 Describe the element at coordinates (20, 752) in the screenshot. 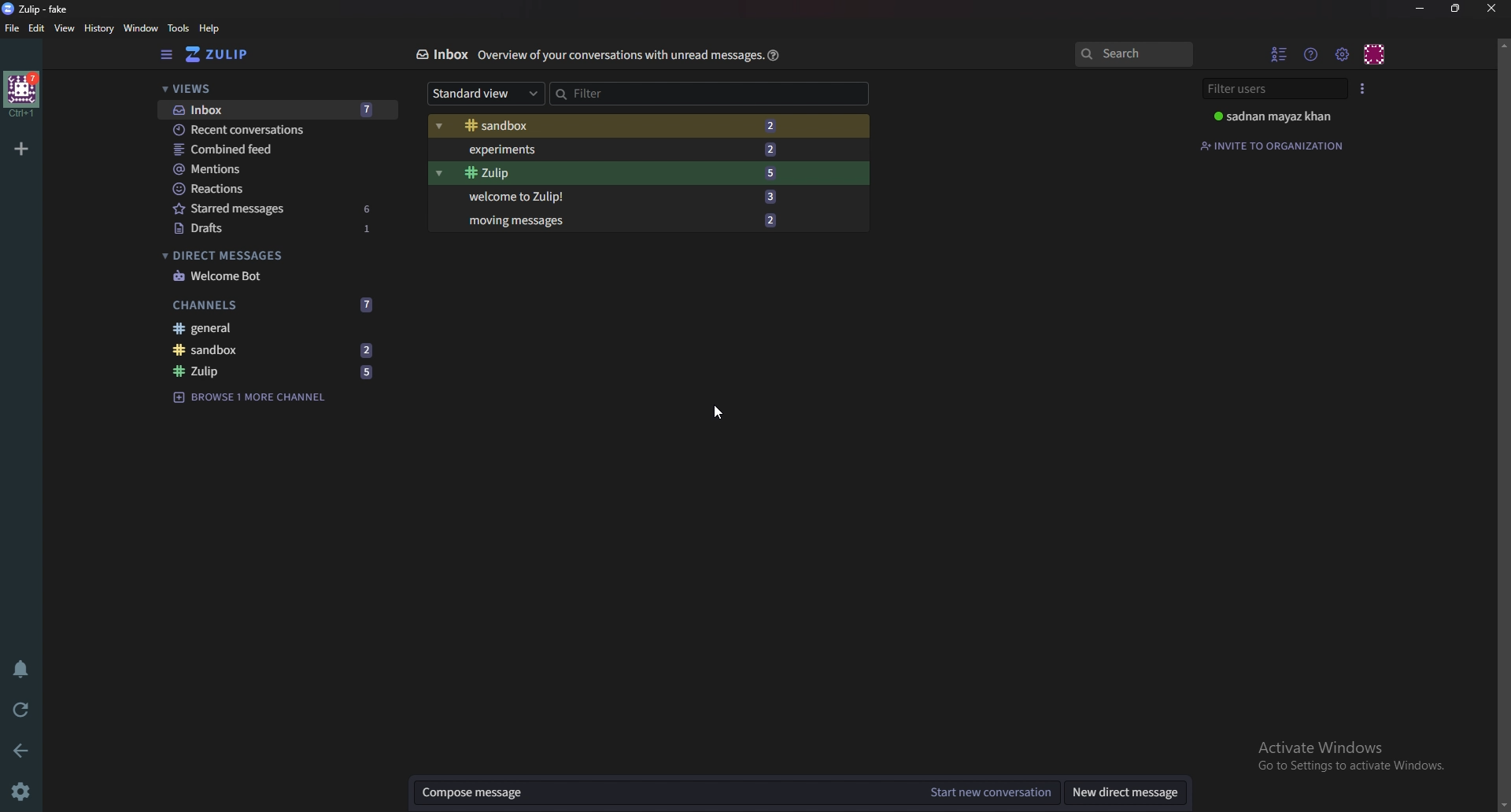

I see `back` at that location.